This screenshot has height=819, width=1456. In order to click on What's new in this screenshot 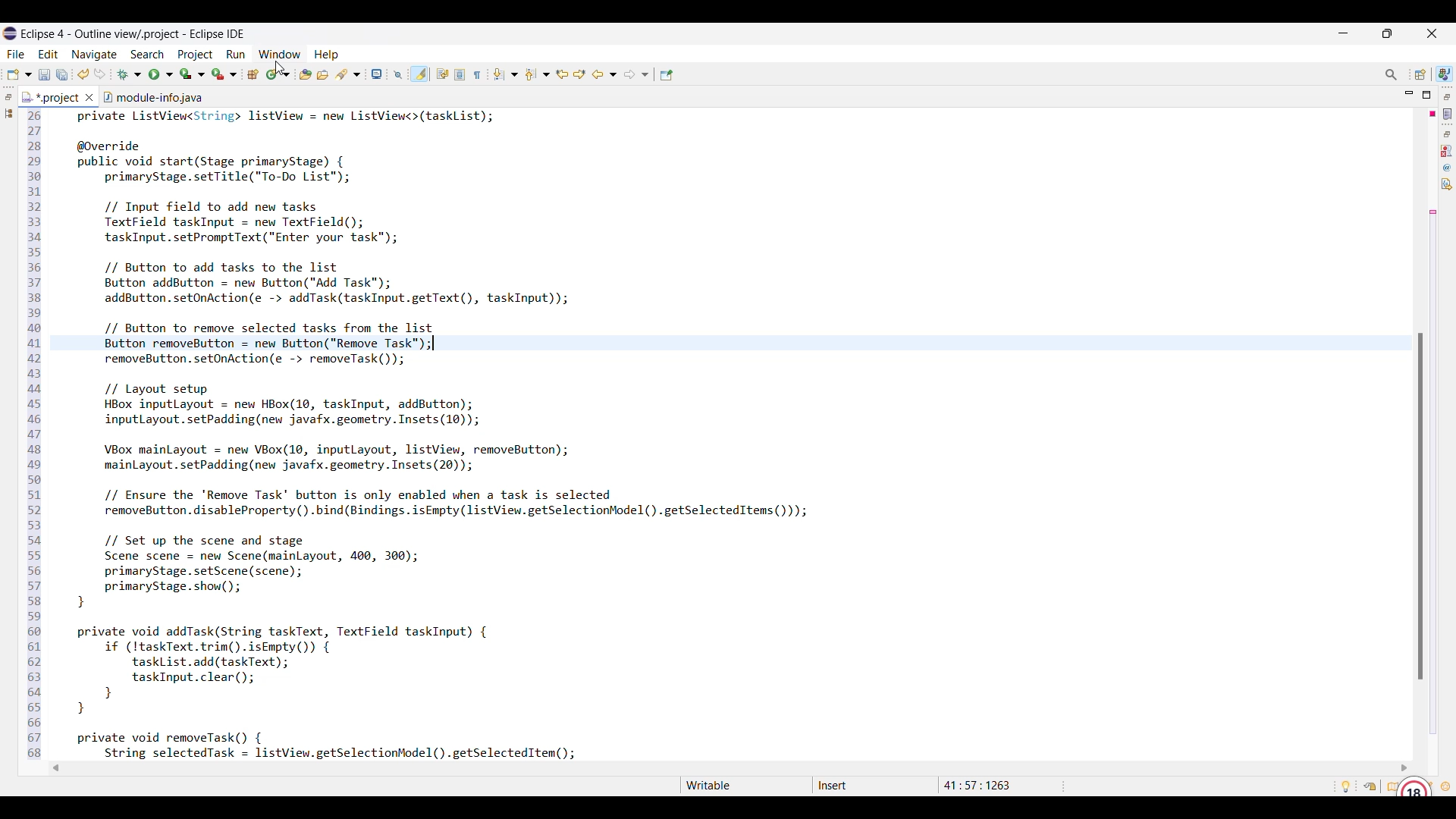, I will do `click(1445, 786)`.